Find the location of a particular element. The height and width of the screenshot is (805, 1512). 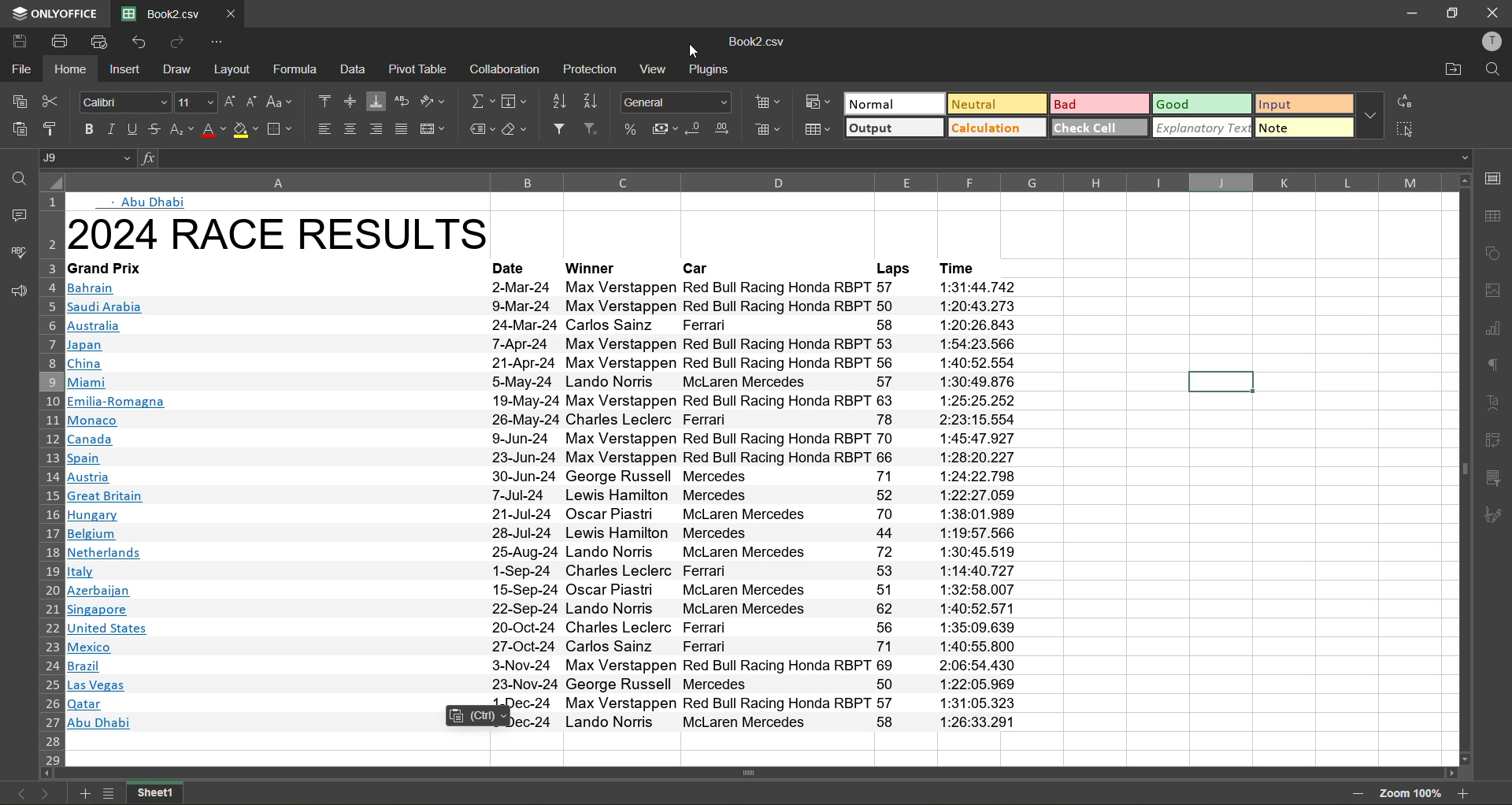

move down is located at coordinates (1466, 759).